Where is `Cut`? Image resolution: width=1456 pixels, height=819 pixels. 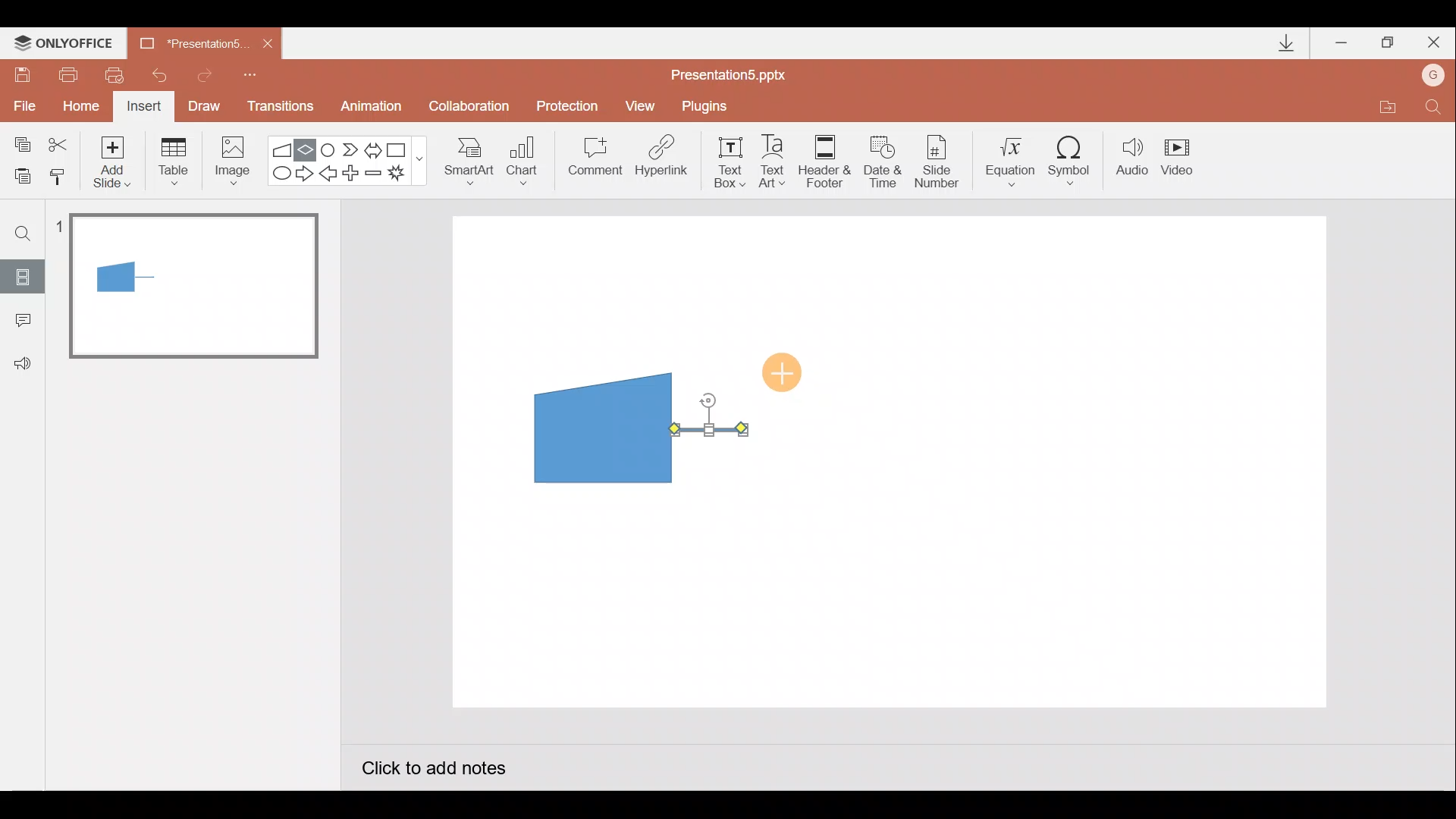 Cut is located at coordinates (61, 142).